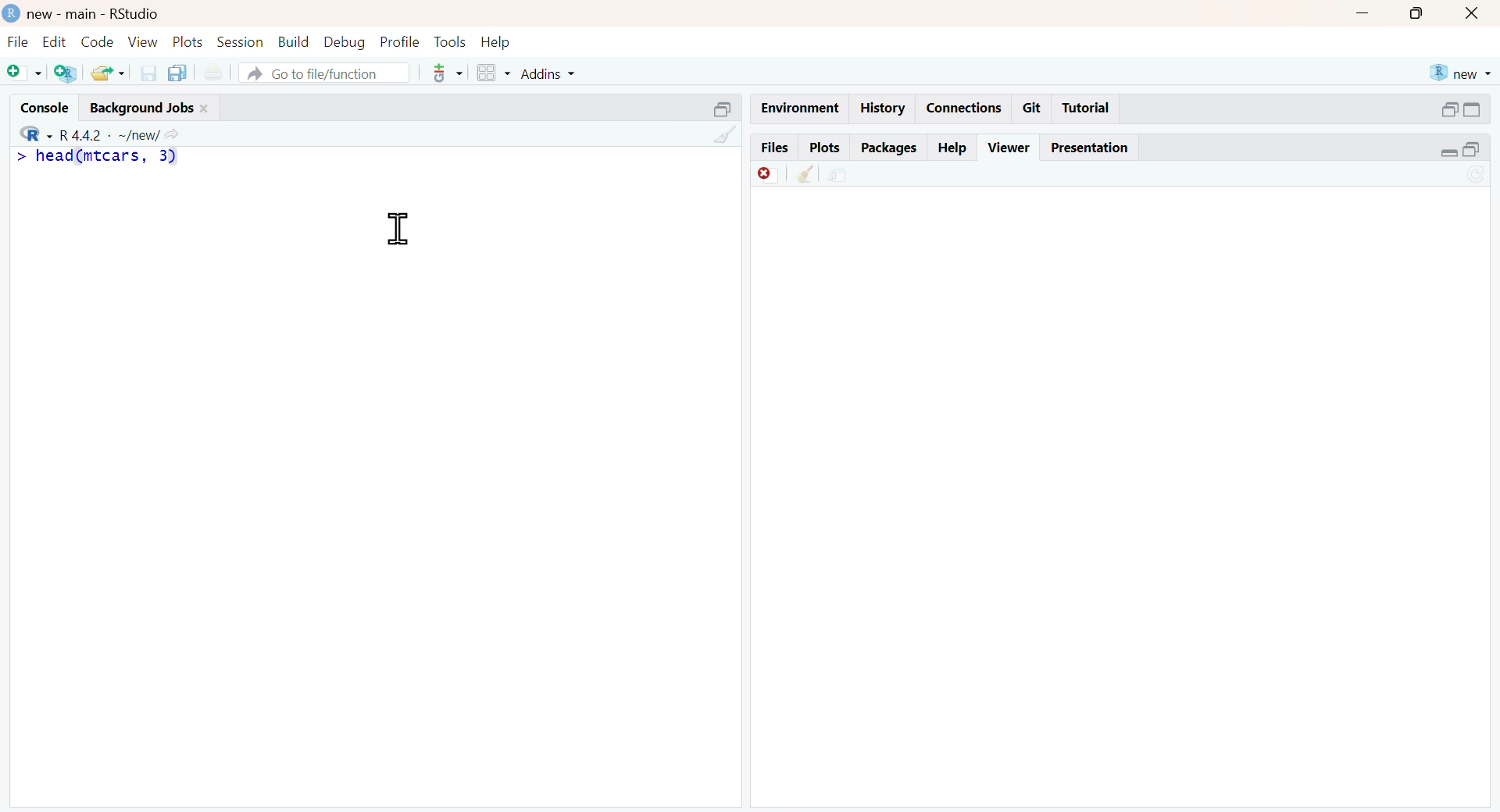 This screenshot has height=812, width=1500. I want to click on Save all open documents, so click(177, 73).